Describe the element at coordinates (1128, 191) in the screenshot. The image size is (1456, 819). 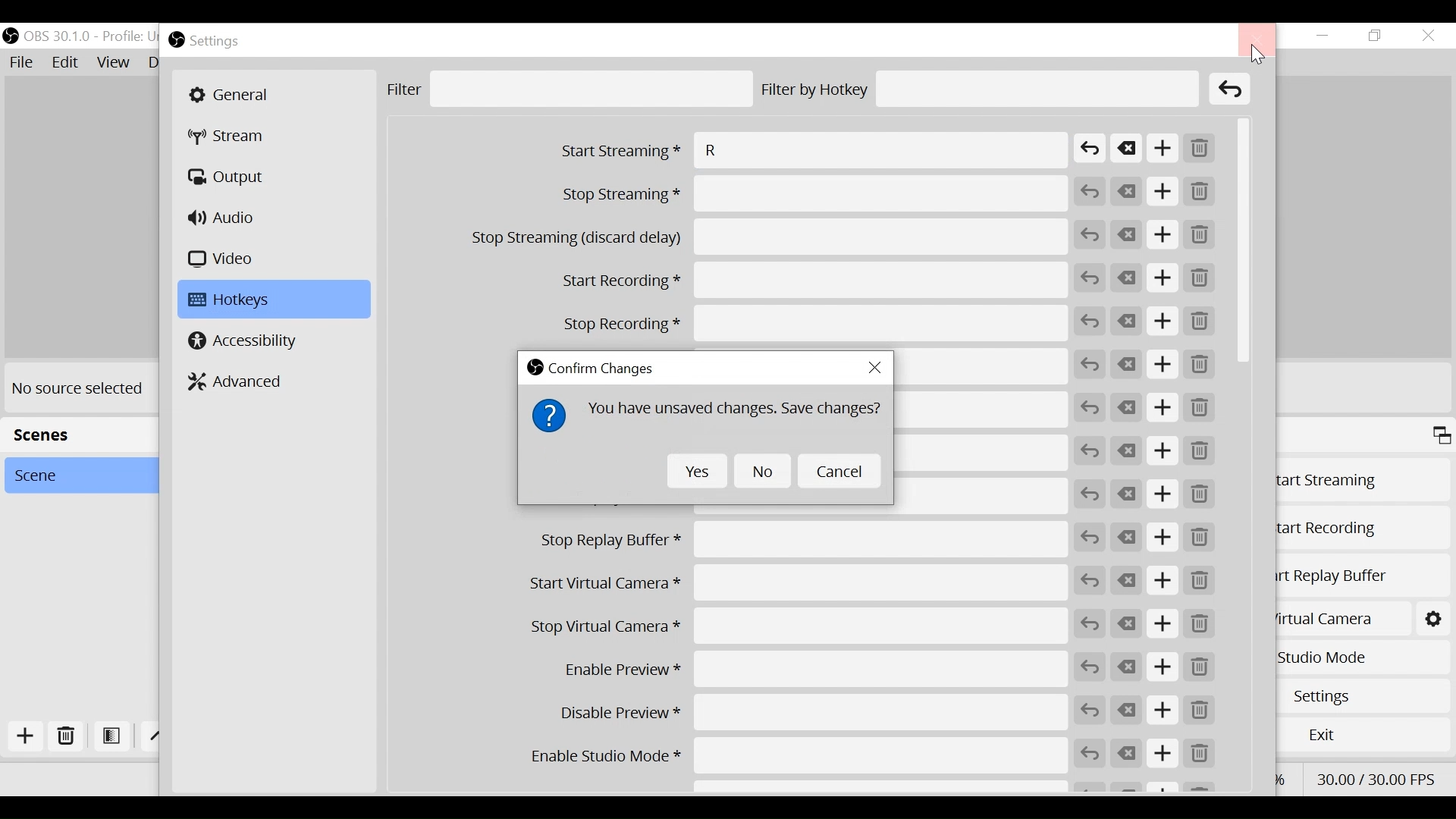
I see `Clear` at that location.